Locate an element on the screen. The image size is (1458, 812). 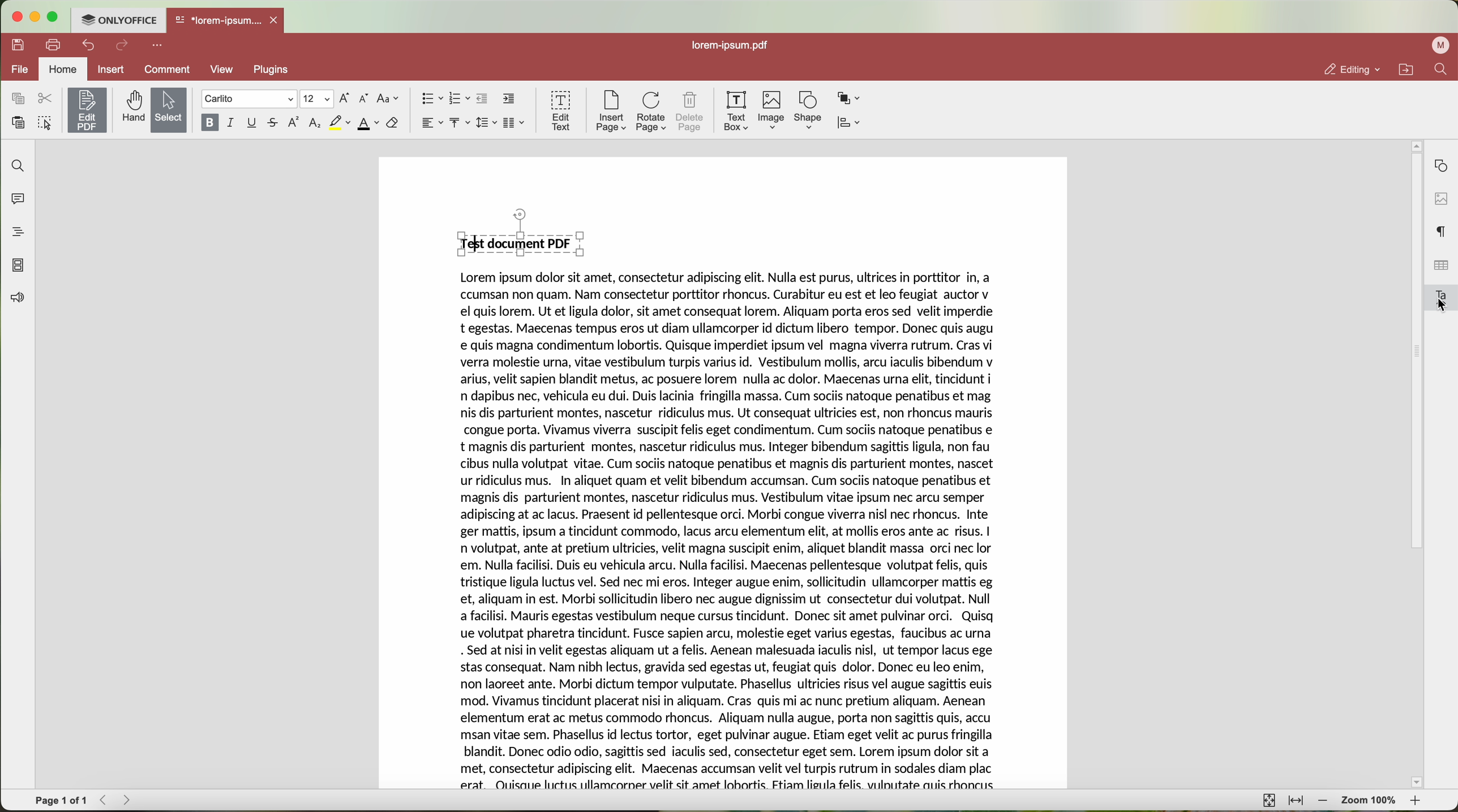
headings is located at coordinates (15, 233).